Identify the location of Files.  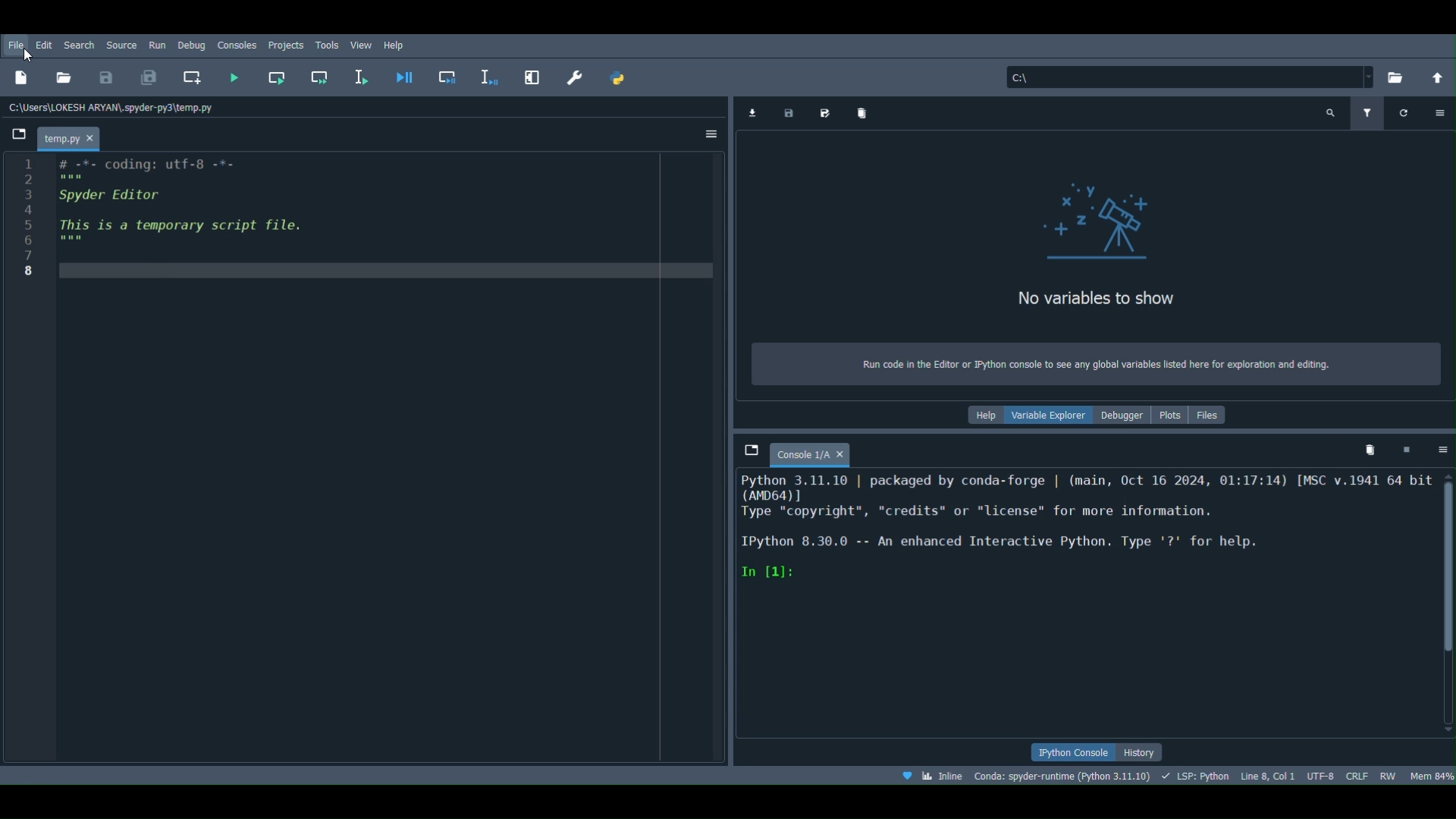
(1215, 415).